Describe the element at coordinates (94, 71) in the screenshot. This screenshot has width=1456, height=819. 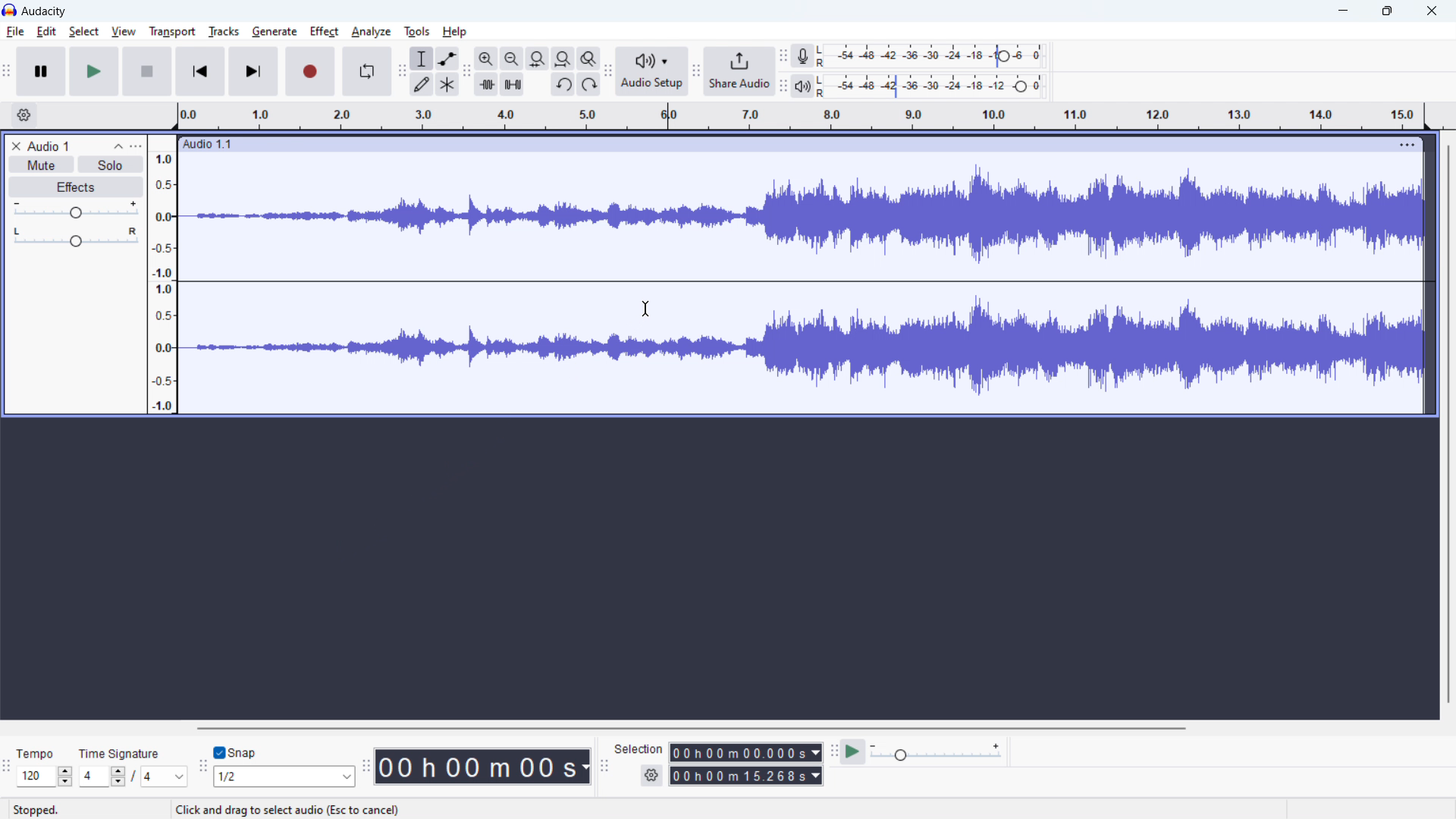
I see `play` at that location.